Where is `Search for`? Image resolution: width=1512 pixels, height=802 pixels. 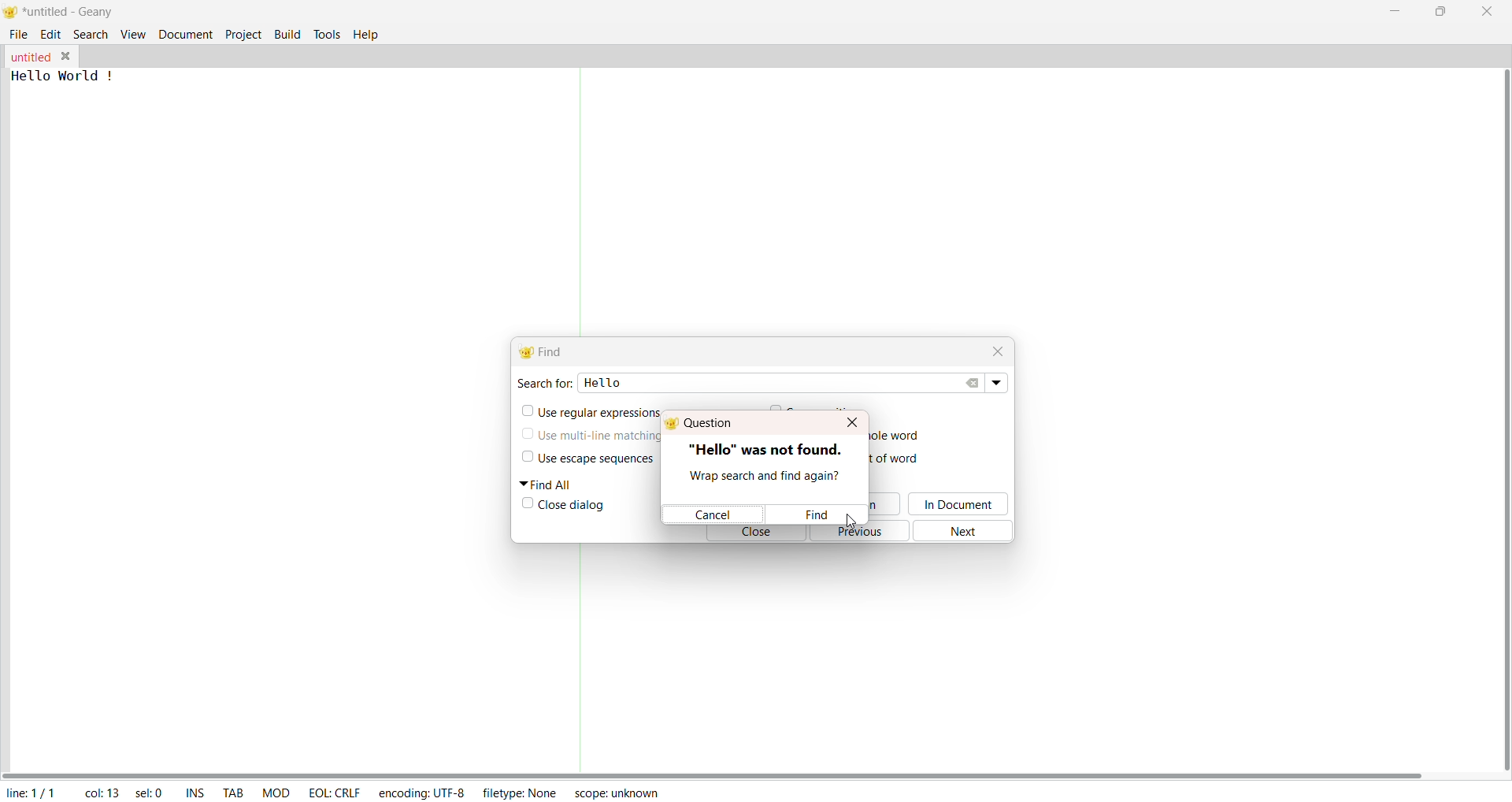
Search for is located at coordinates (543, 382).